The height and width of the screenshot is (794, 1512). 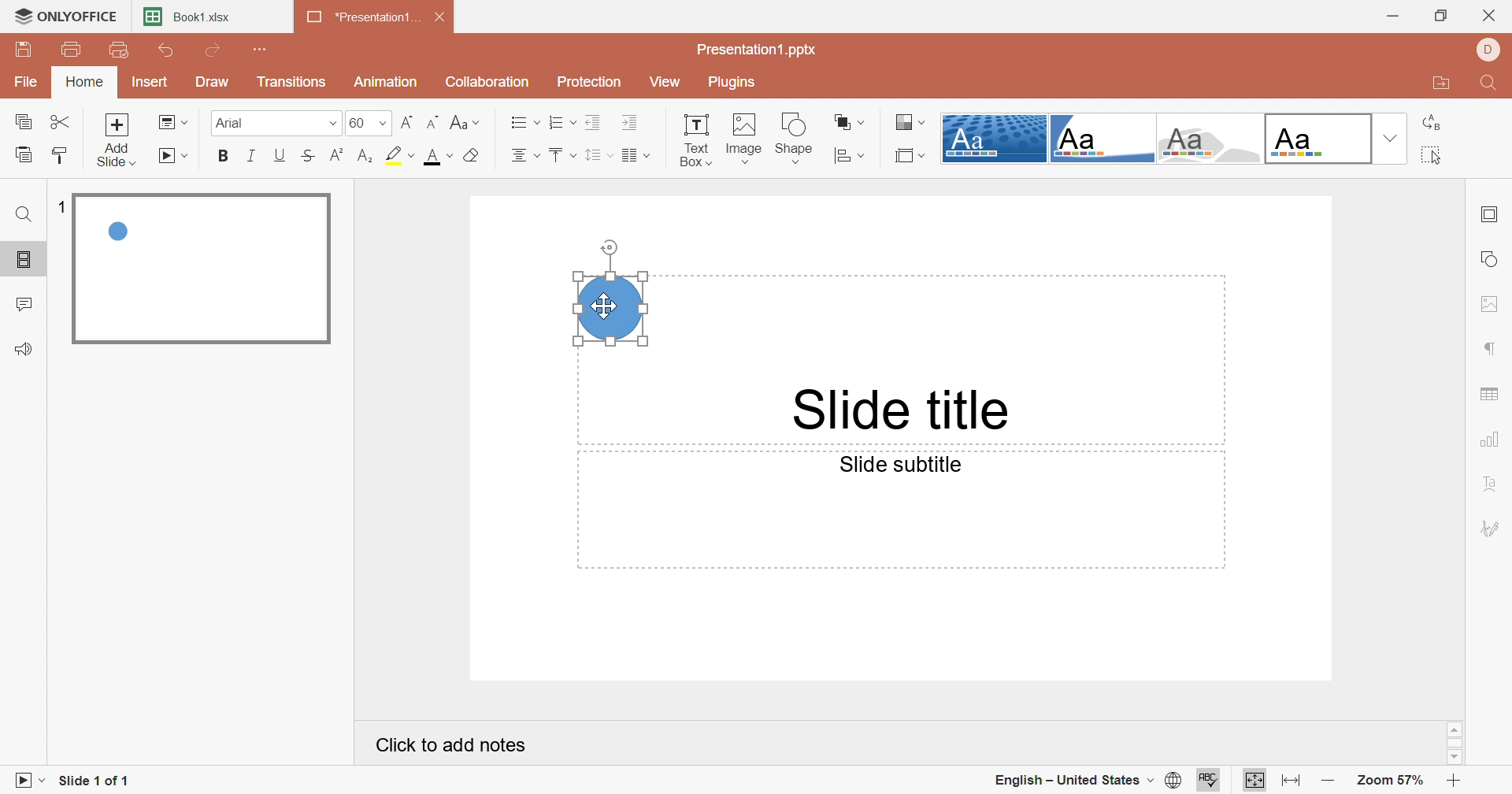 I want to click on Redo, so click(x=215, y=50).